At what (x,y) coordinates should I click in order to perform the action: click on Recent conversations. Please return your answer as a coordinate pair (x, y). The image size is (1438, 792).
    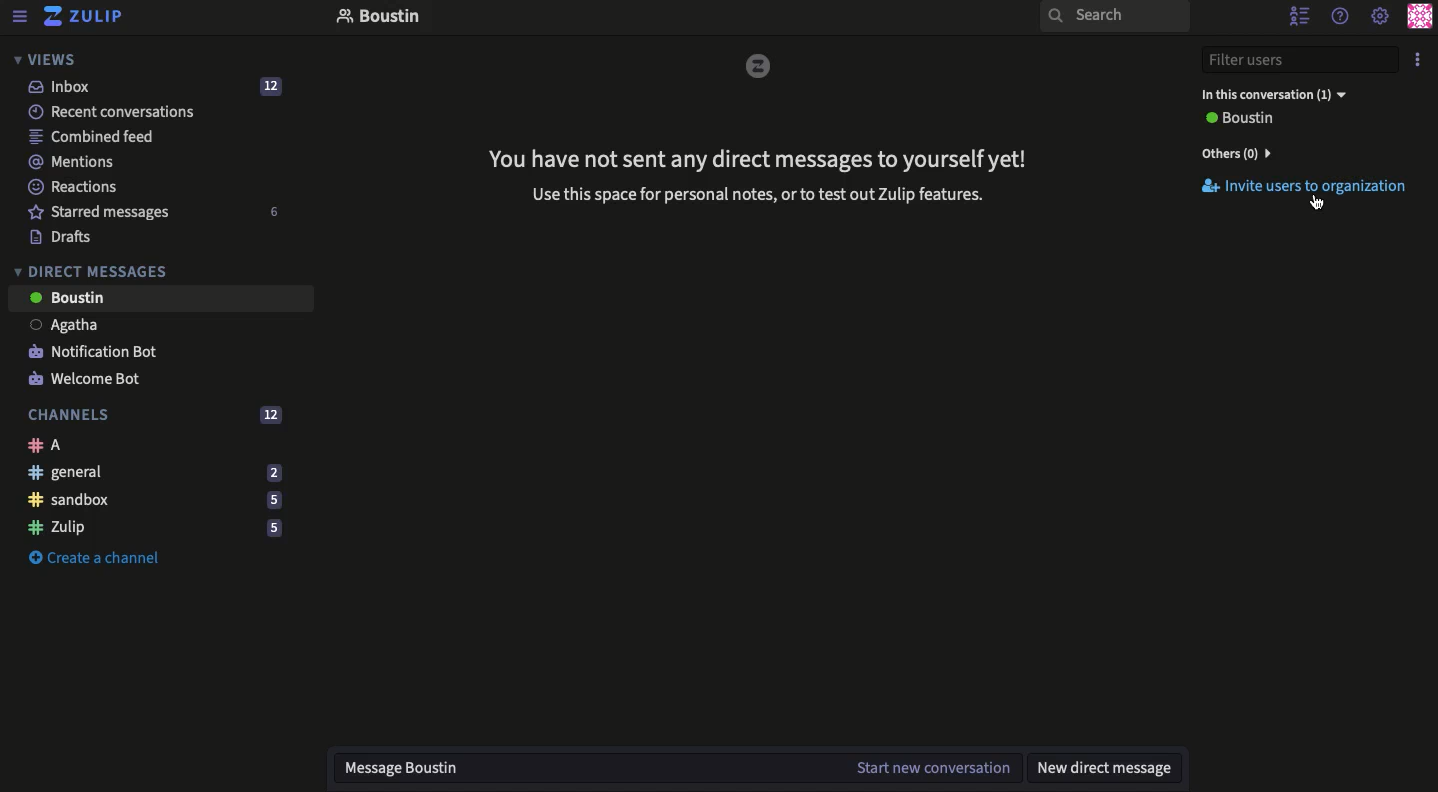
    Looking at the image, I should click on (99, 111).